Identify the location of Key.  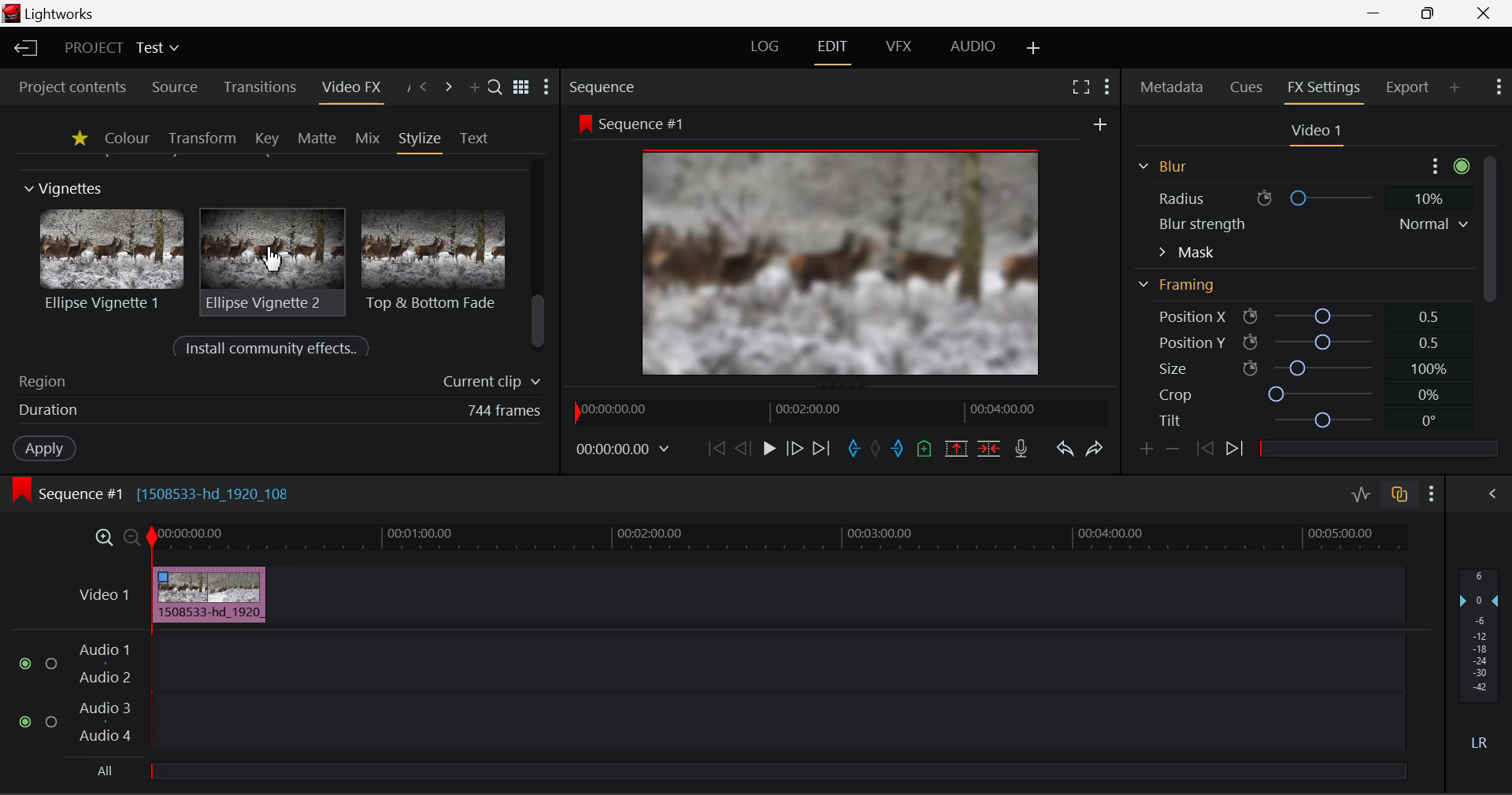
(266, 139).